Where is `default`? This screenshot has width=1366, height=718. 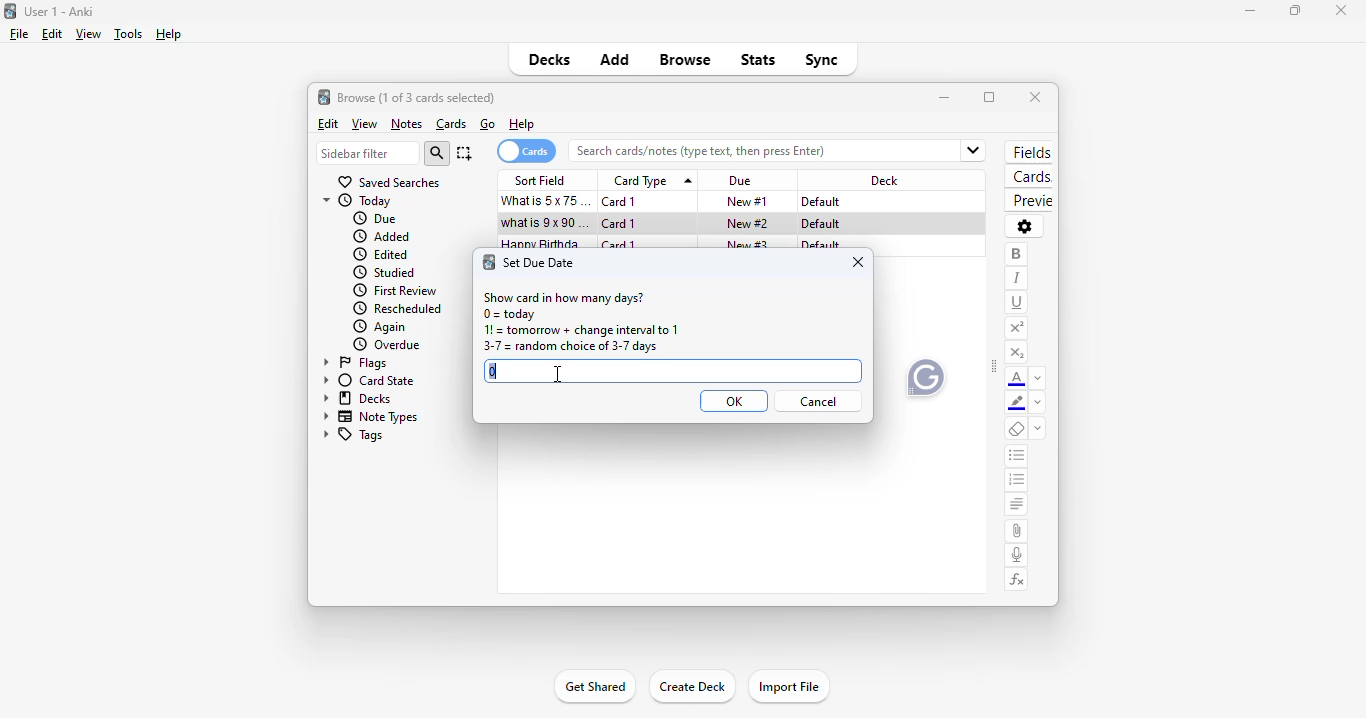
default is located at coordinates (820, 223).